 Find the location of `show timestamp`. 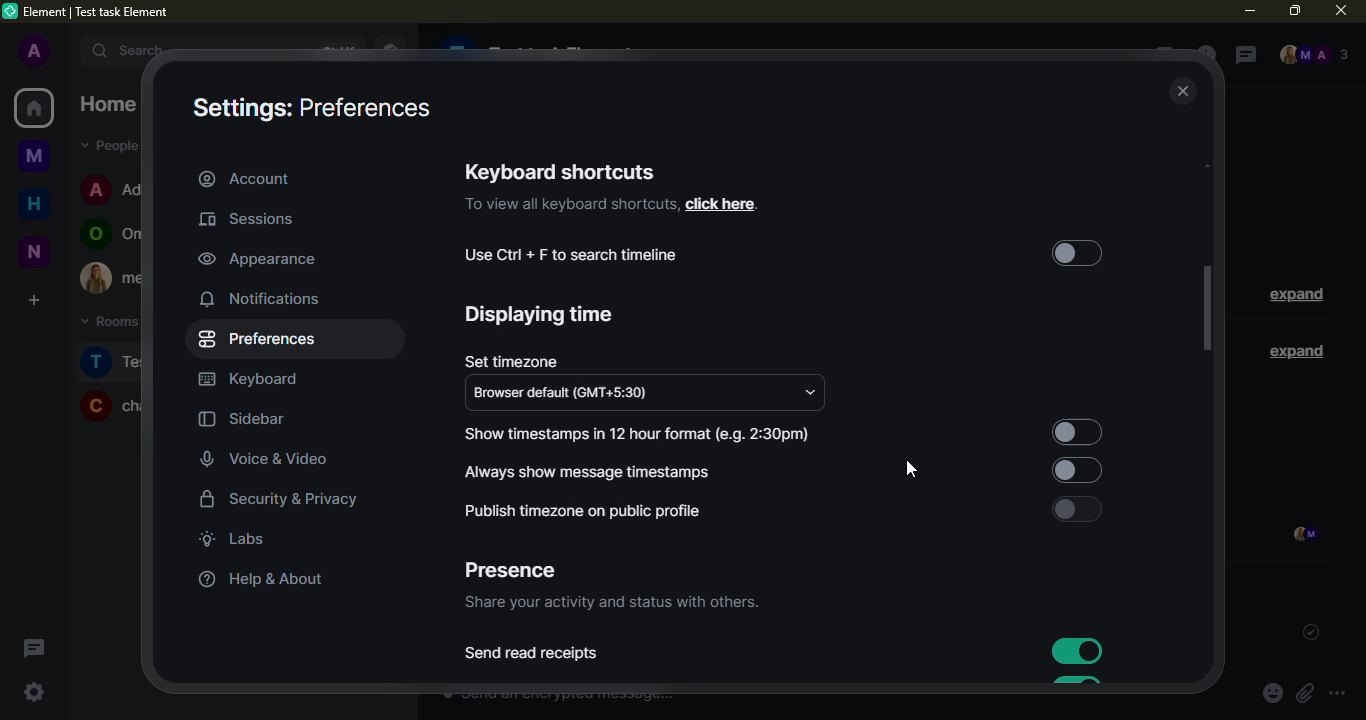

show timestamp is located at coordinates (640, 434).